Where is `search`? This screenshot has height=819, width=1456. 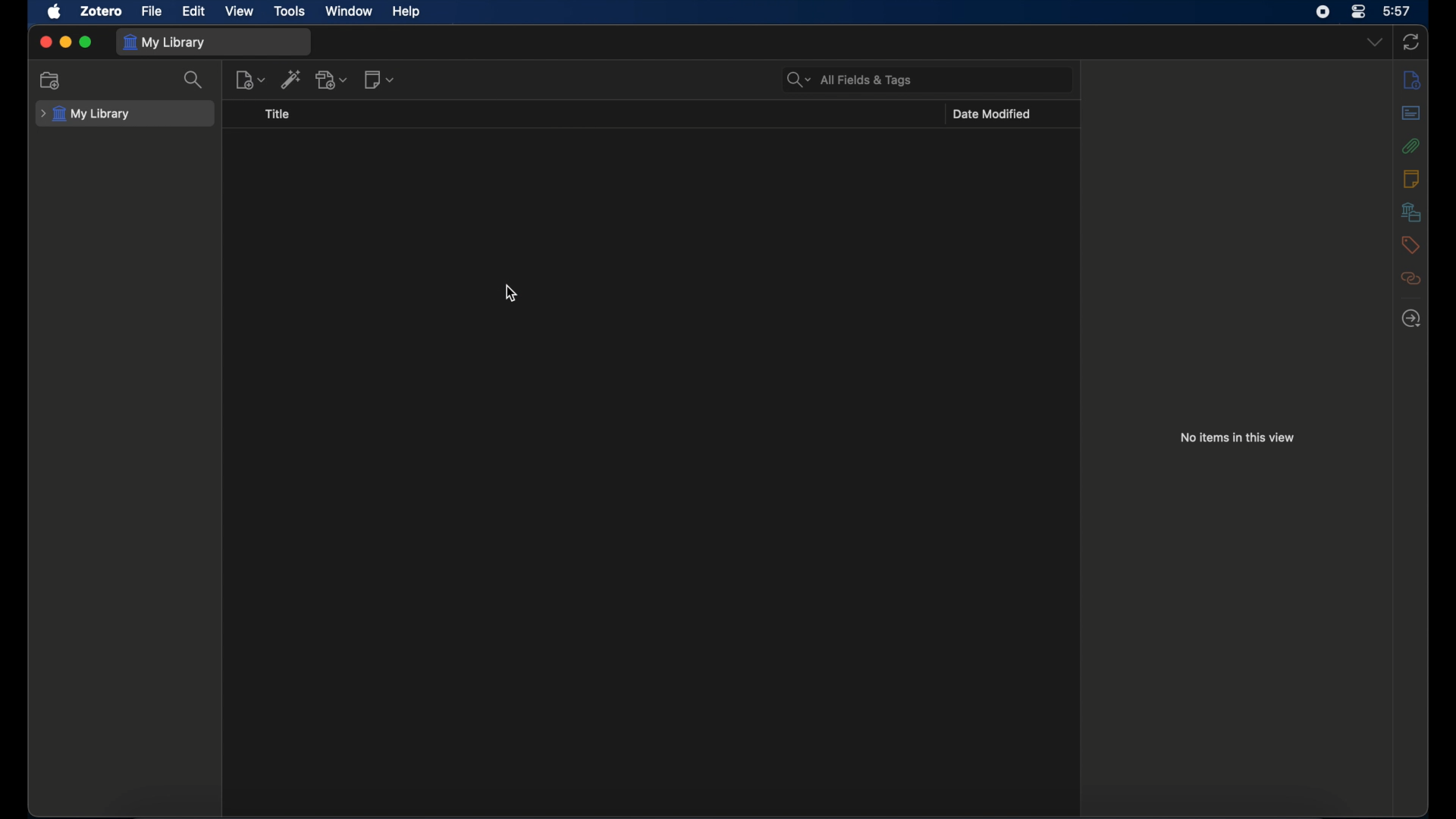 search is located at coordinates (196, 80).